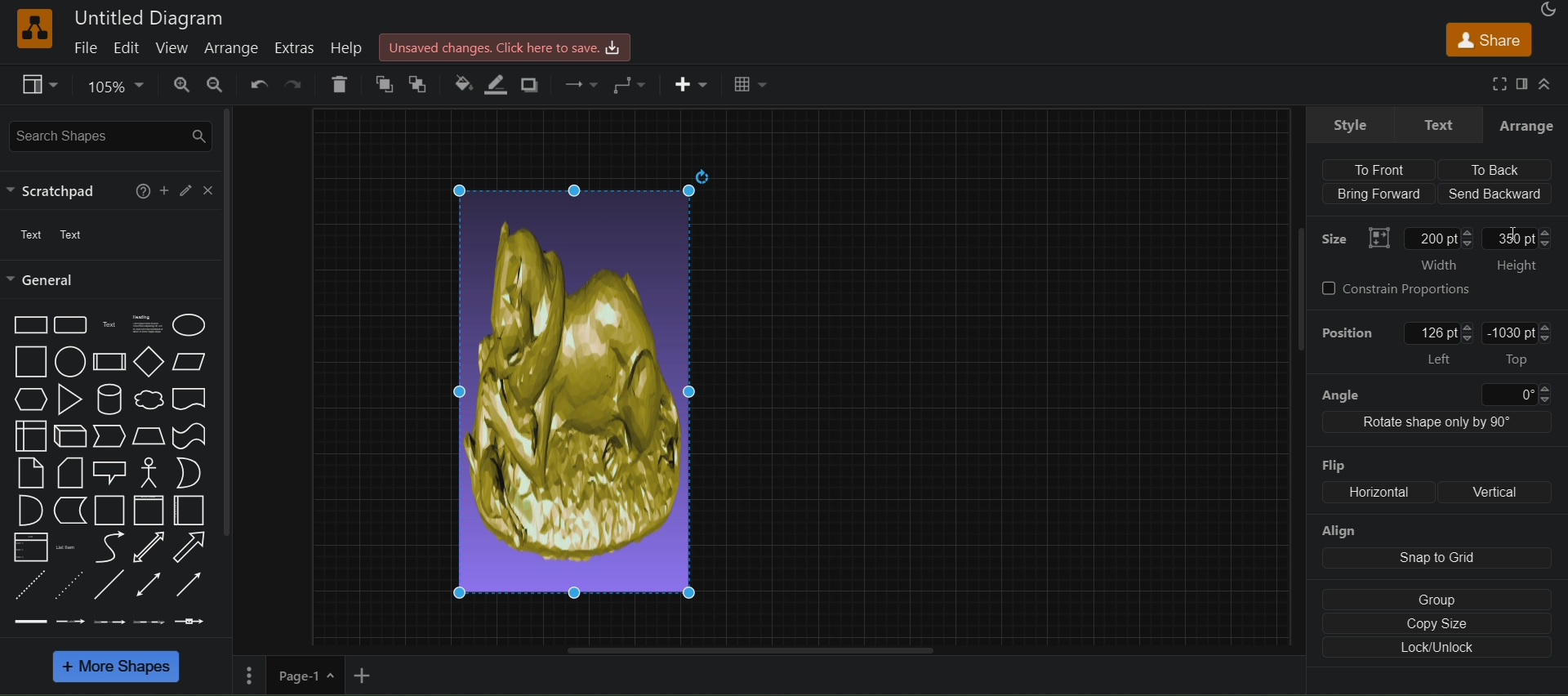  I want to click on horizontal scroll bar, so click(740, 649).